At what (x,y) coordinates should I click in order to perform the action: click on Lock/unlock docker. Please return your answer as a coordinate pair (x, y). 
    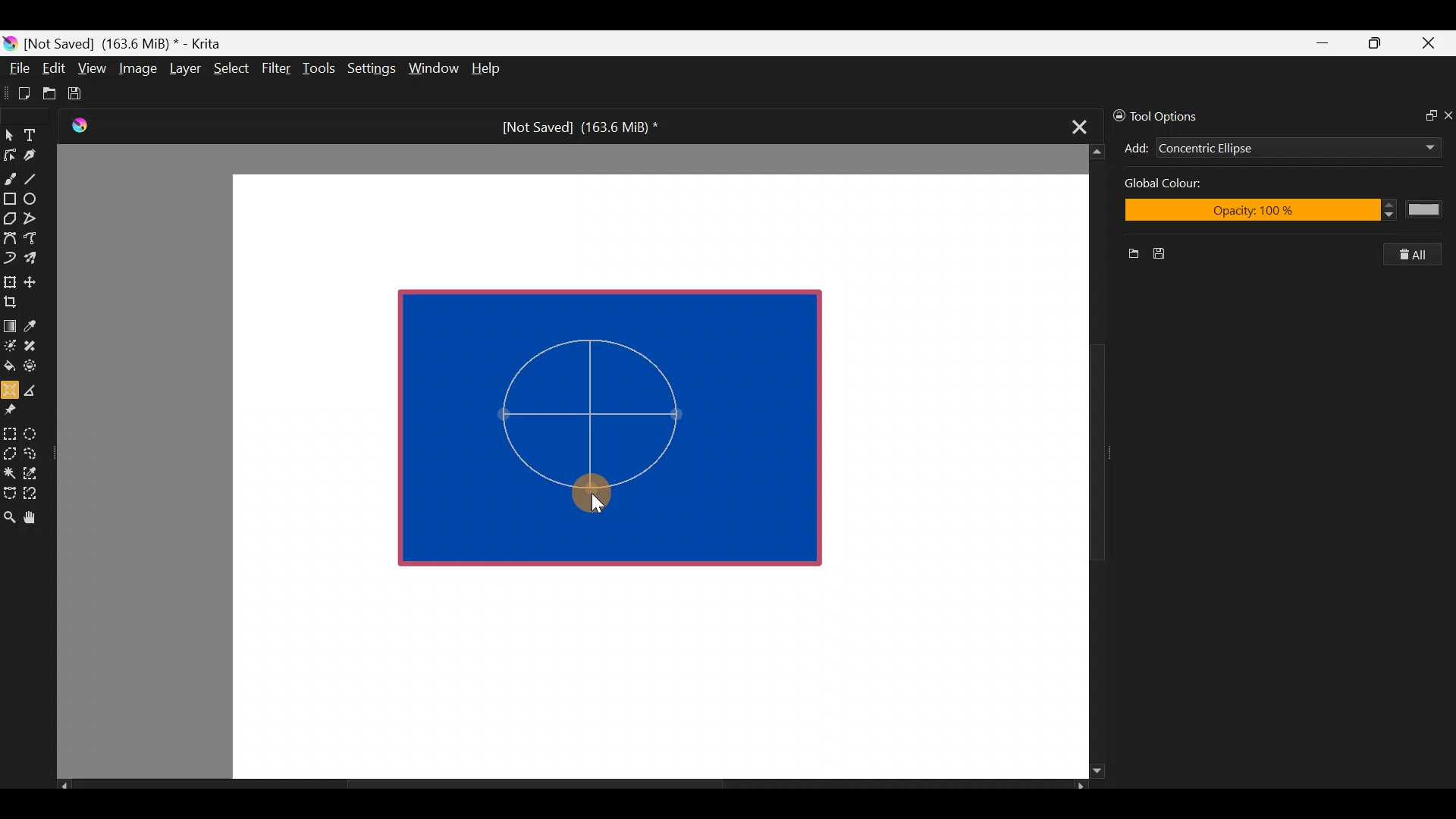
    Looking at the image, I should click on (1116, 113).